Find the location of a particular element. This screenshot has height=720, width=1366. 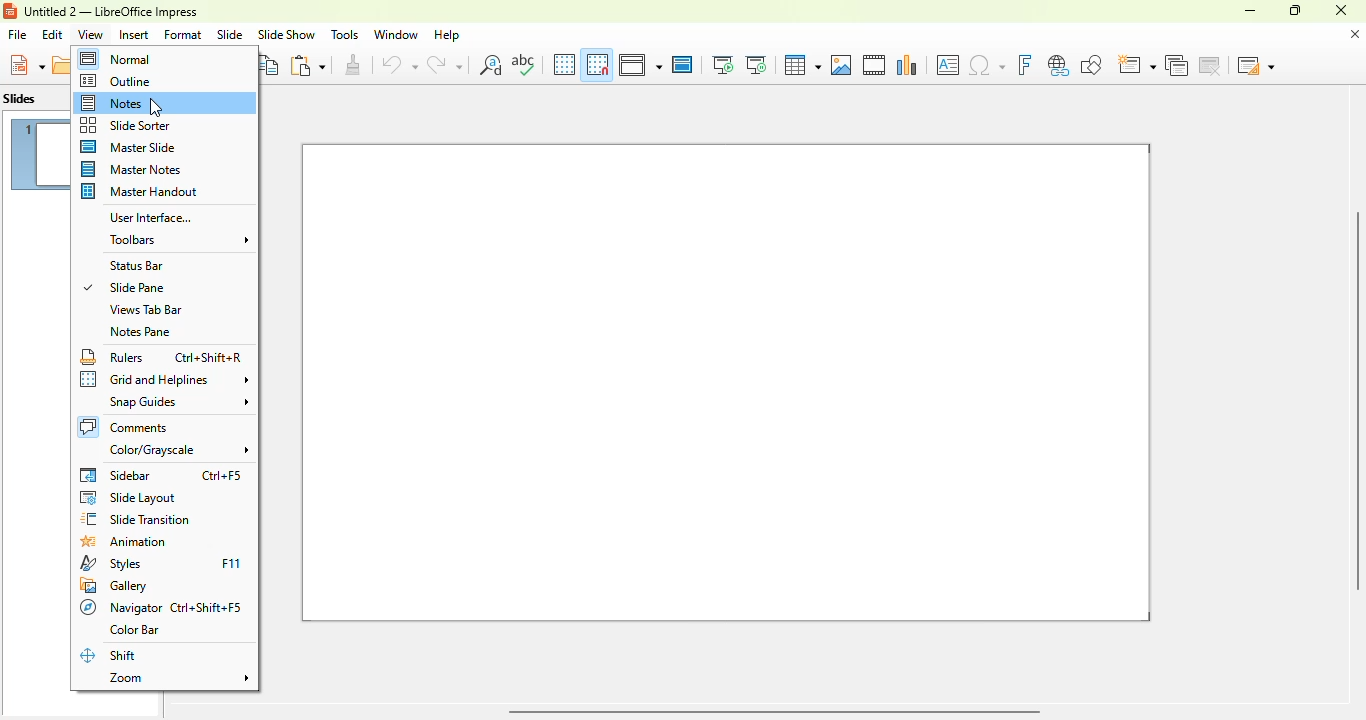

spelling is located at coordinates (523, 63).